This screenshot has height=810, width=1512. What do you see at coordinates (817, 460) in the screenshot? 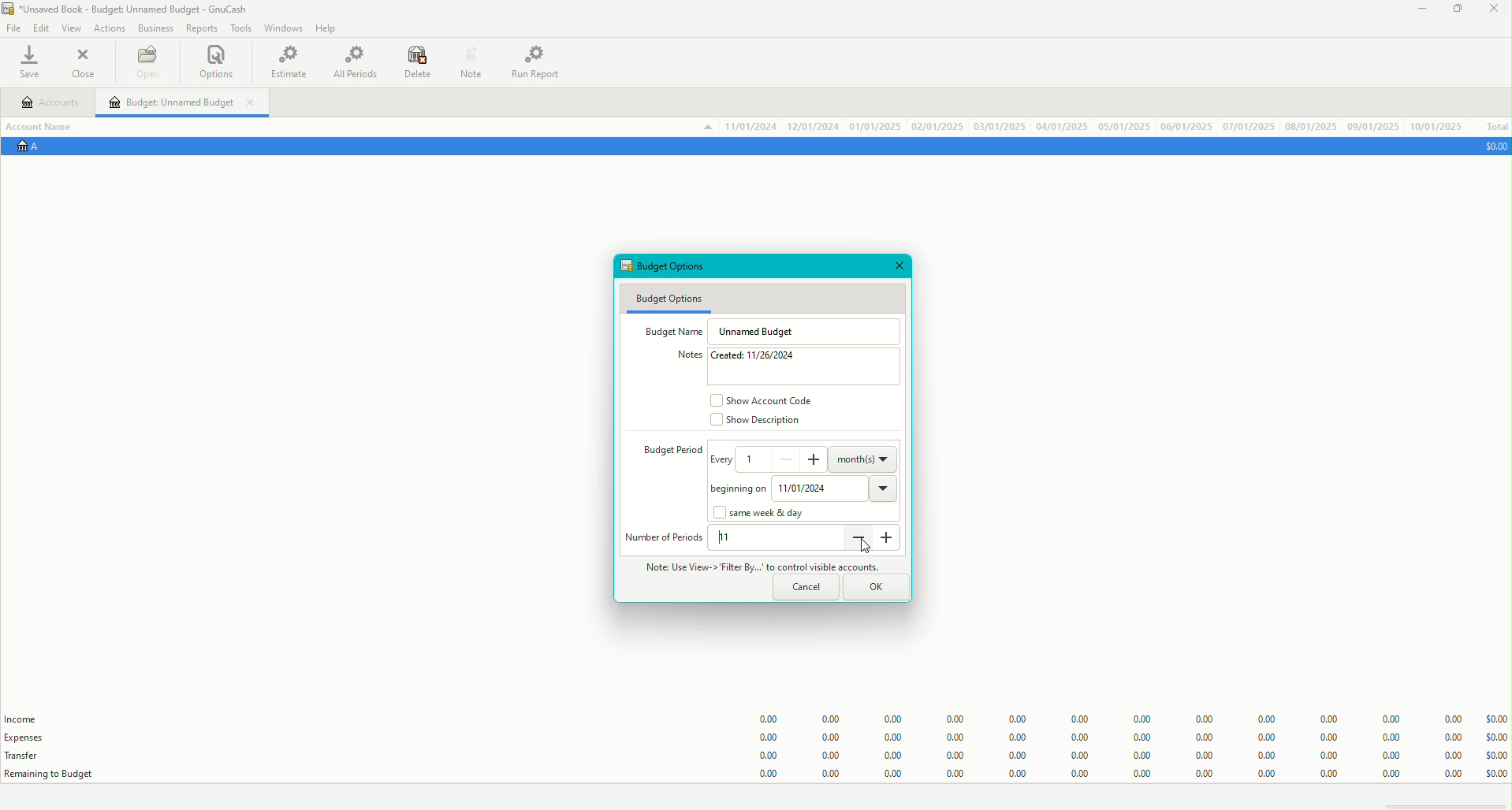
I see `increase` at bounding box center [817, 460].